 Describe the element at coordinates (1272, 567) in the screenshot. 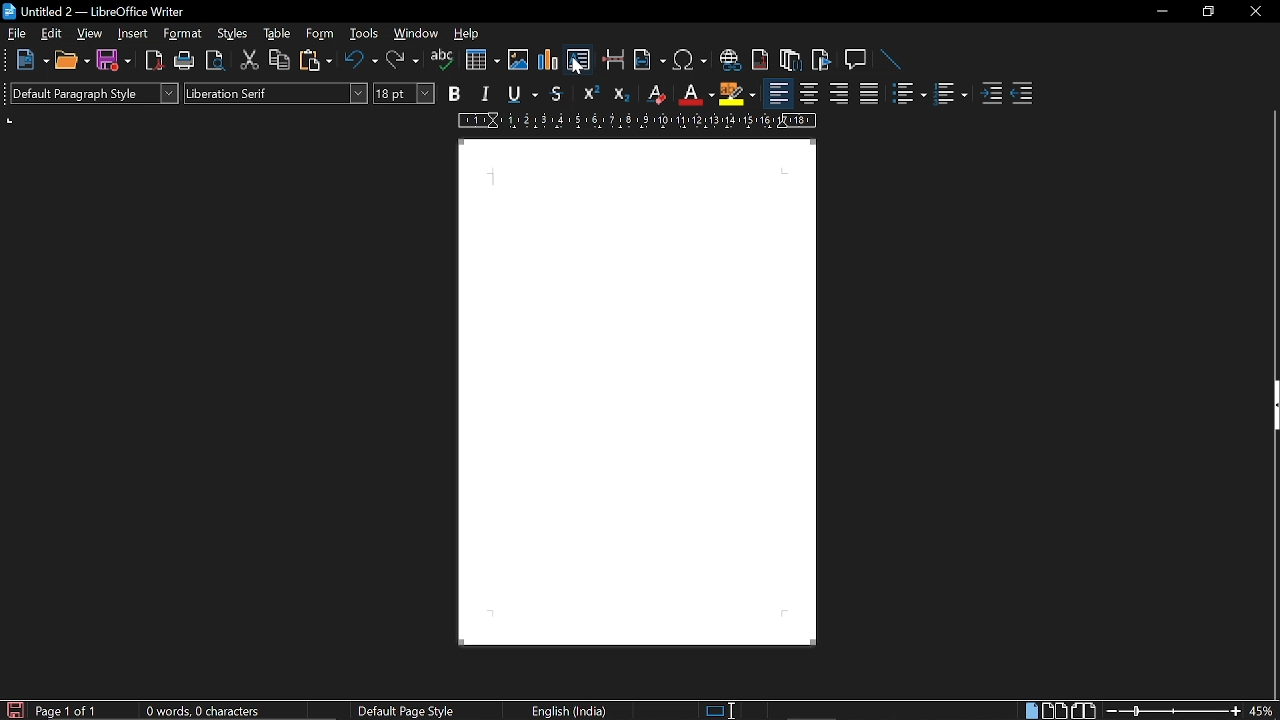

I see `vertical scroll bar` at that location.